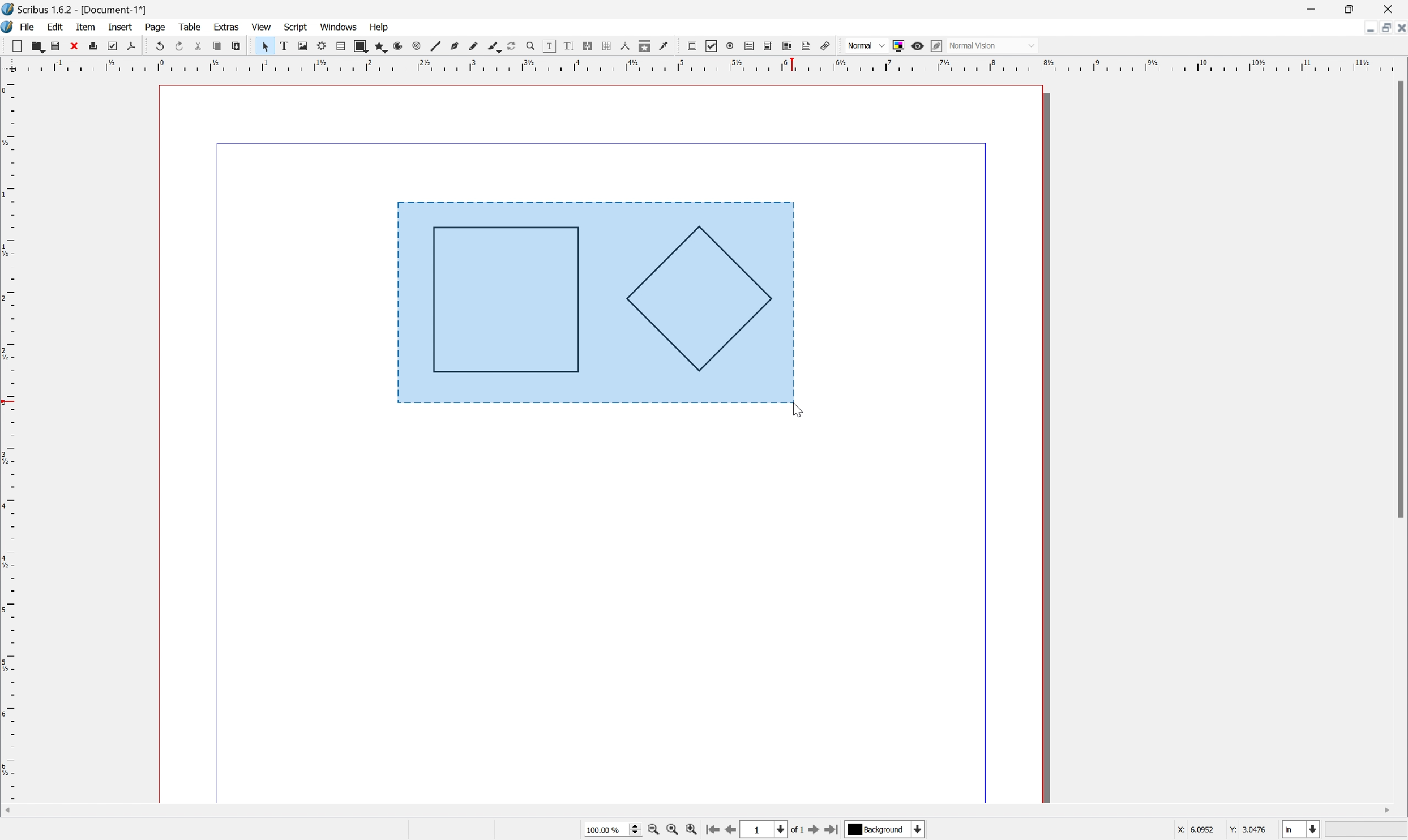 This screenshot has width=1408, height=840. I want to click on print, so click(92, 46).